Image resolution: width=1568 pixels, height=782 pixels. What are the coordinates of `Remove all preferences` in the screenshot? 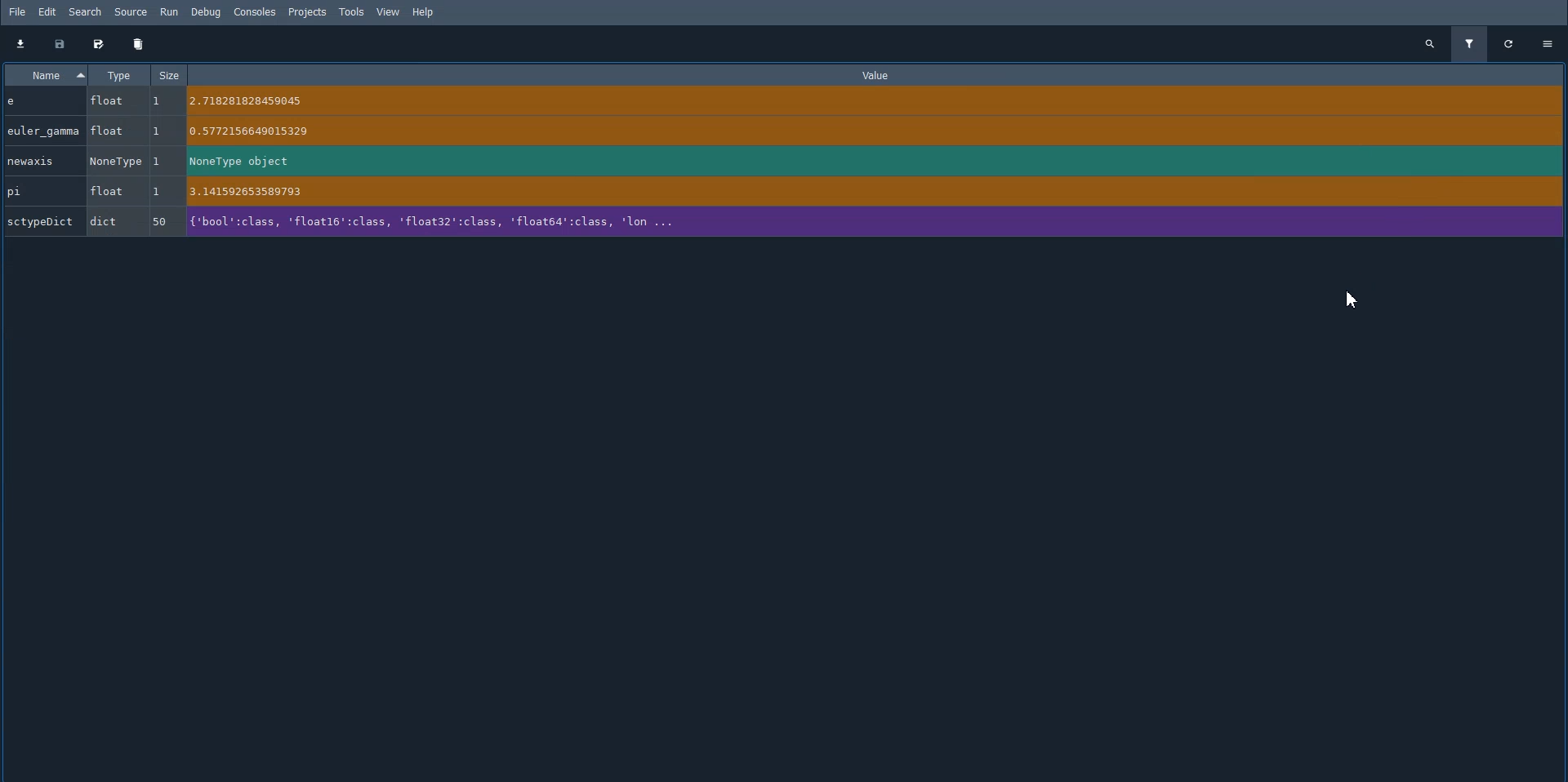 It's located at (139, 44).